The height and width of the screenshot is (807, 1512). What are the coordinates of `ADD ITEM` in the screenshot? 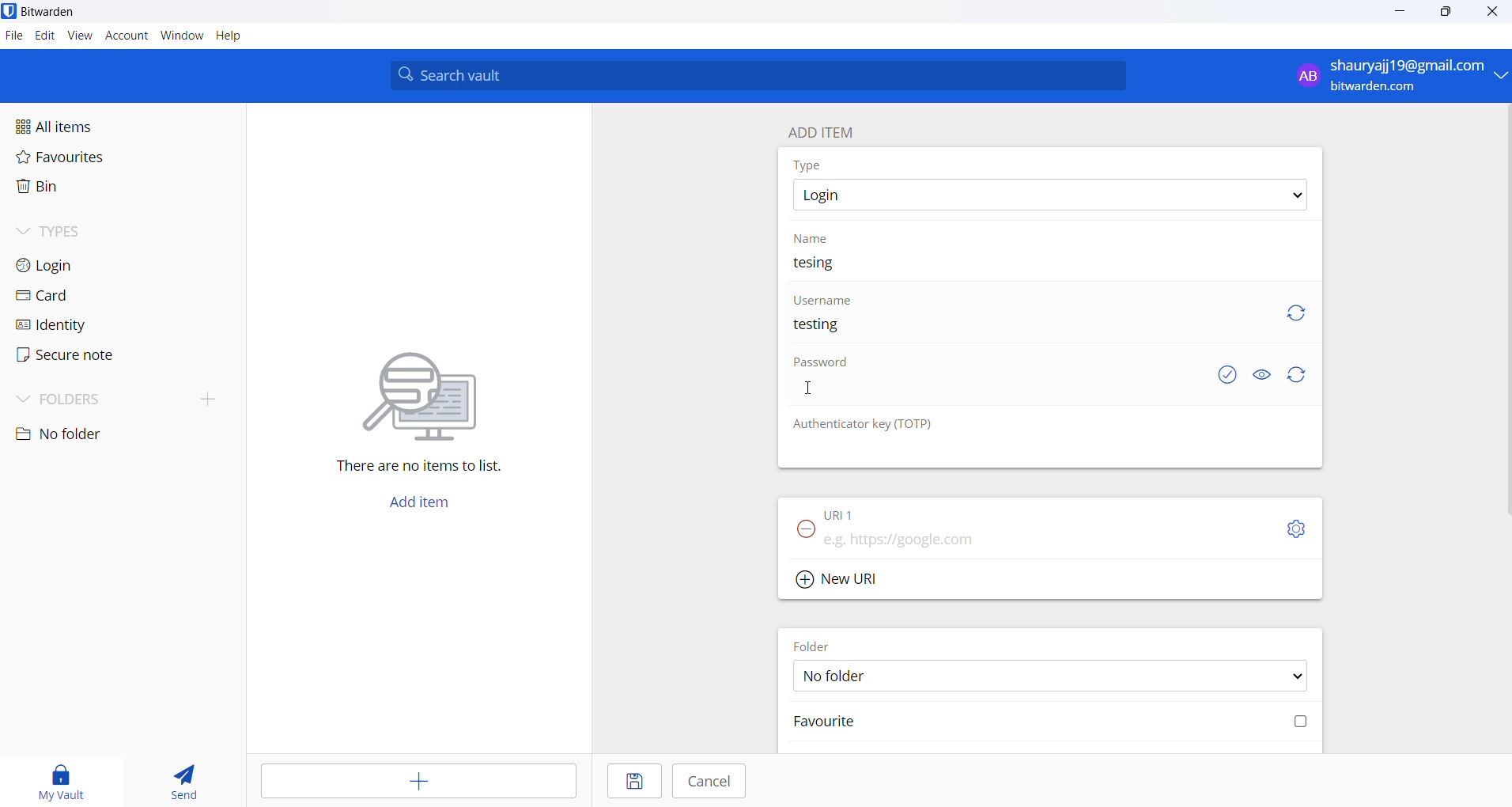 It's located at (828, 129).